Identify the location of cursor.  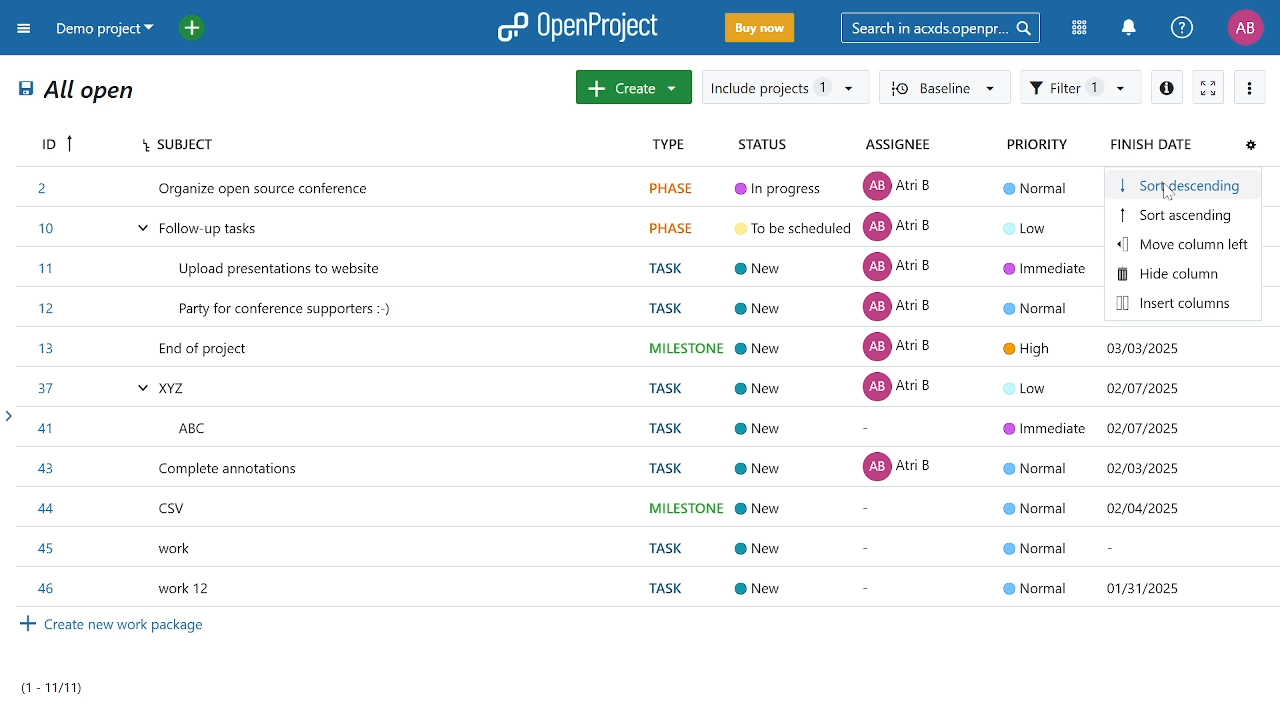
(1172, 193).